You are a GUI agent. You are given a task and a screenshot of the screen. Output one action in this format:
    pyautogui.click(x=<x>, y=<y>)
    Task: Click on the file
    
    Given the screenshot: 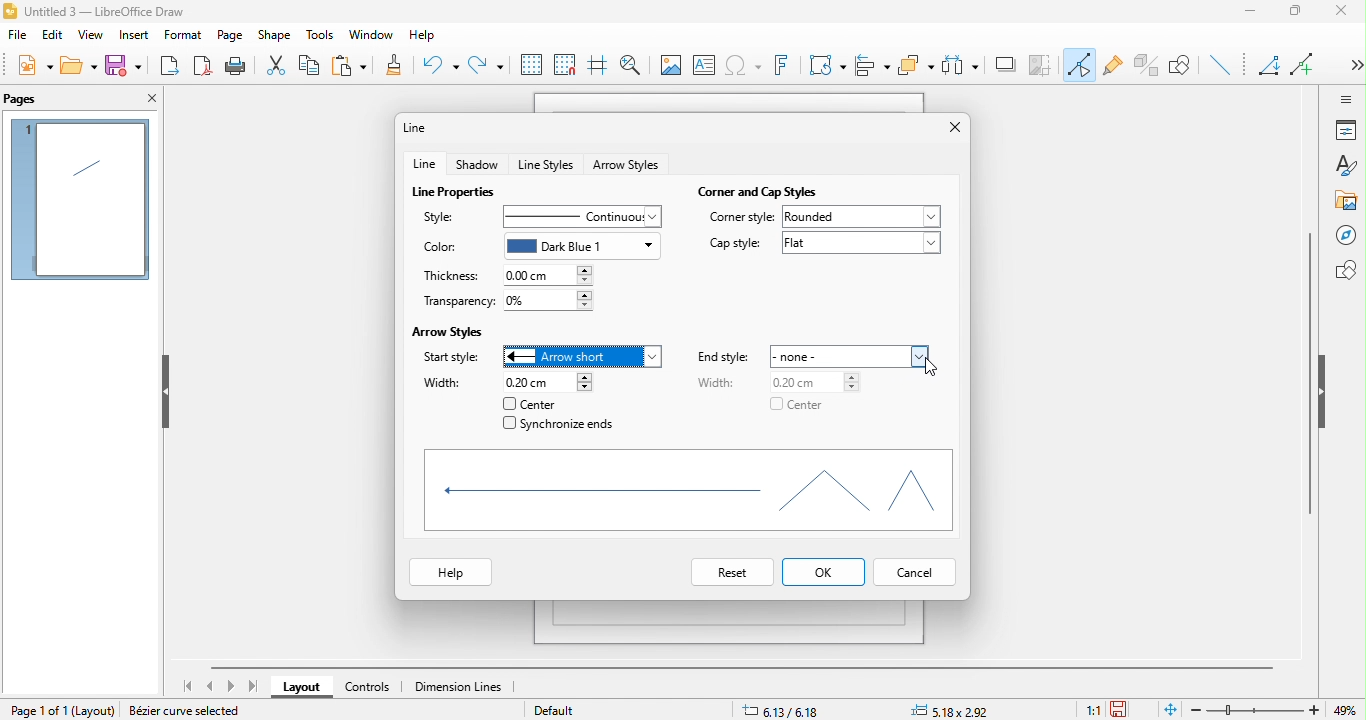 What is the action you would take?
    pyautogui.click(x=21, y=38)
    